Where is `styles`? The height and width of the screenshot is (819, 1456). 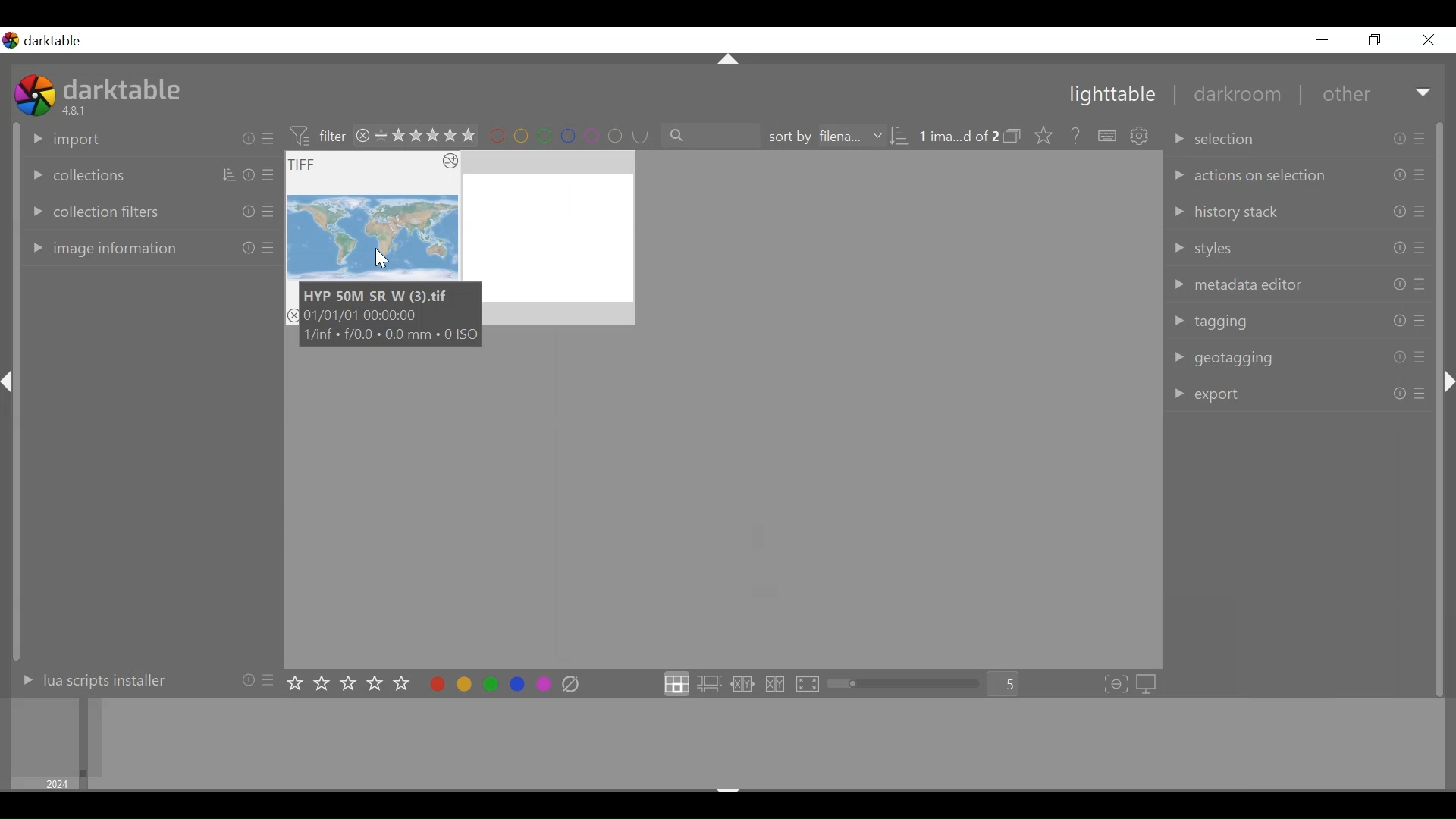 styles is located at coordinates (1296, 245).